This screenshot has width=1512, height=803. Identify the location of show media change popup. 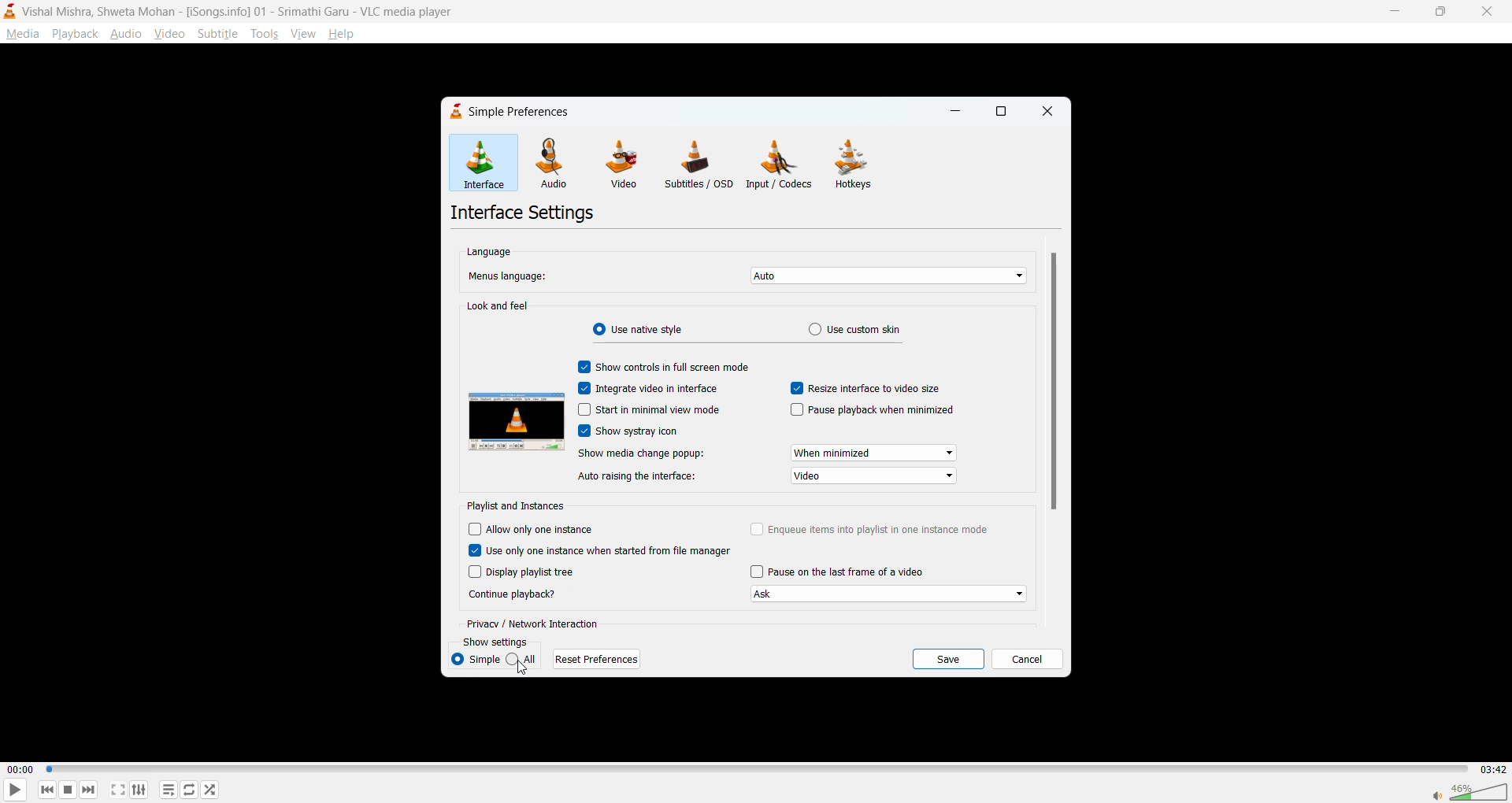
(639, 453).